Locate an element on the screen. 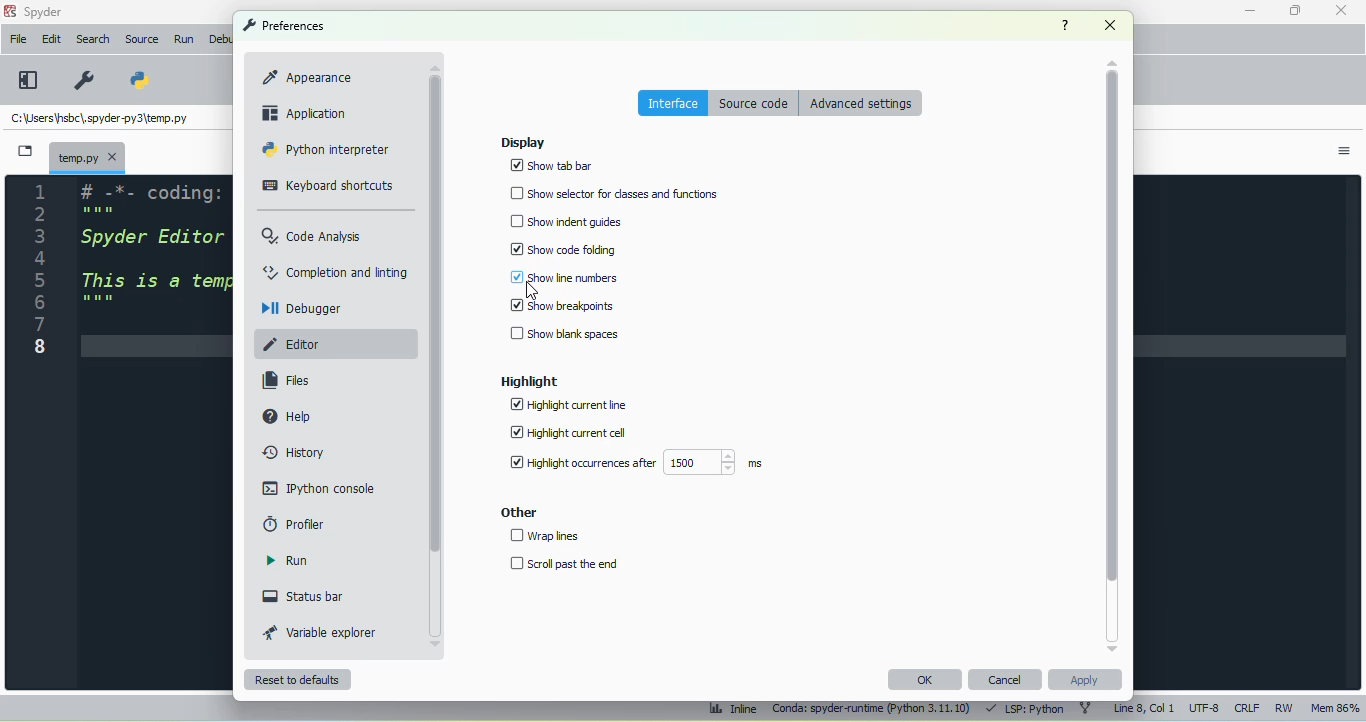 Image resolution: width=1366 pixels, height=722 pixels. maximize is located at coordinates (1294, 10).